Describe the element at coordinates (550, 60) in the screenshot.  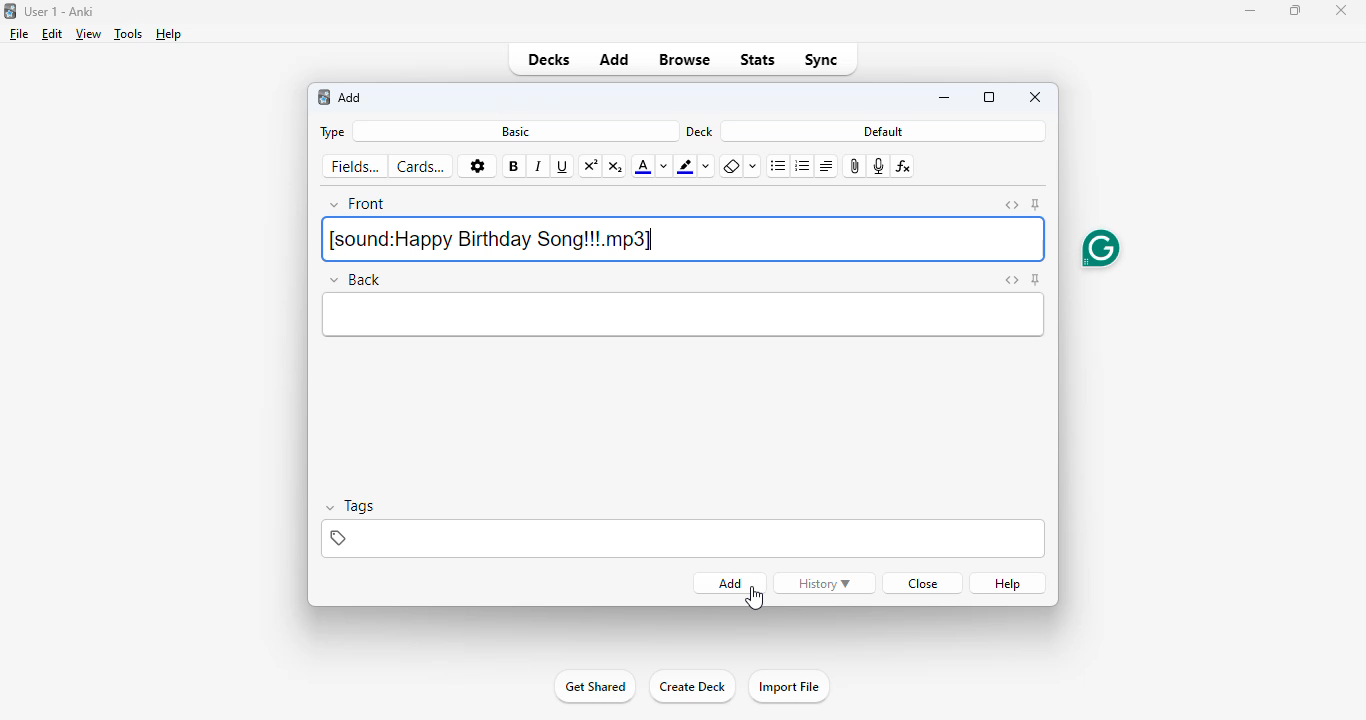
I see `decks` at that location.